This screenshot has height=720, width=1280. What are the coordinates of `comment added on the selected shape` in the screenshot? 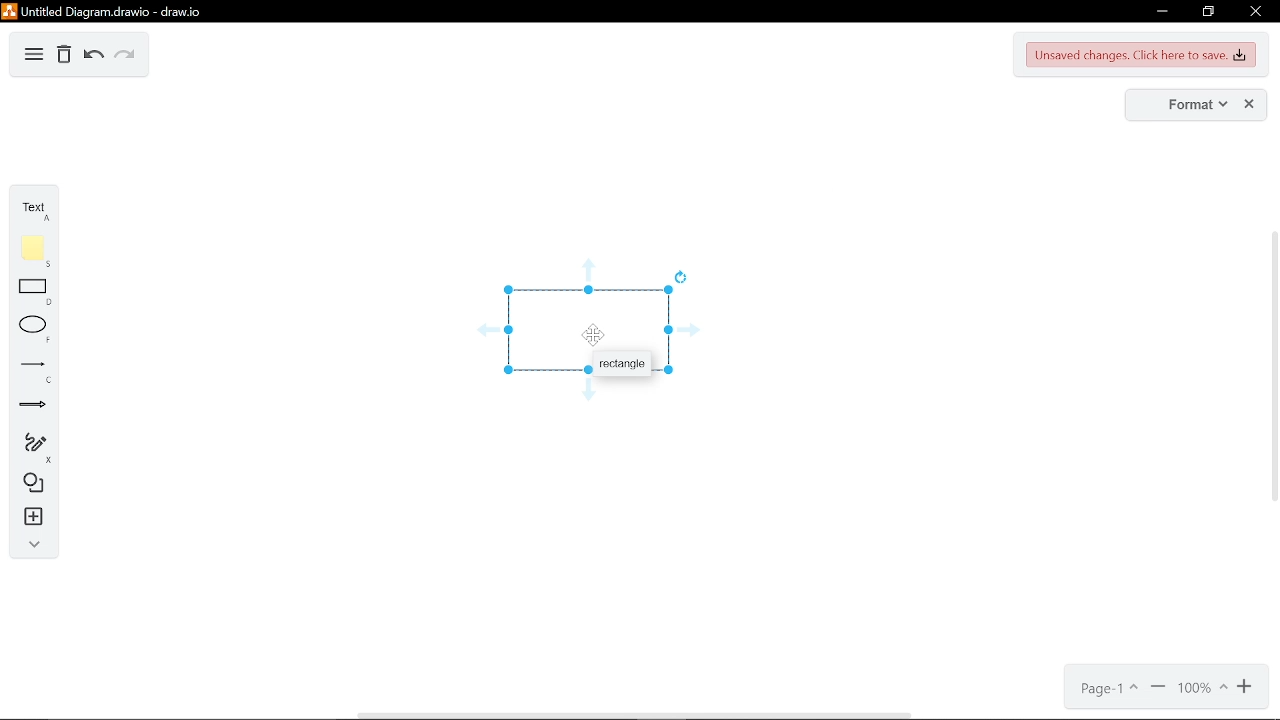 It's located at (590, 332).